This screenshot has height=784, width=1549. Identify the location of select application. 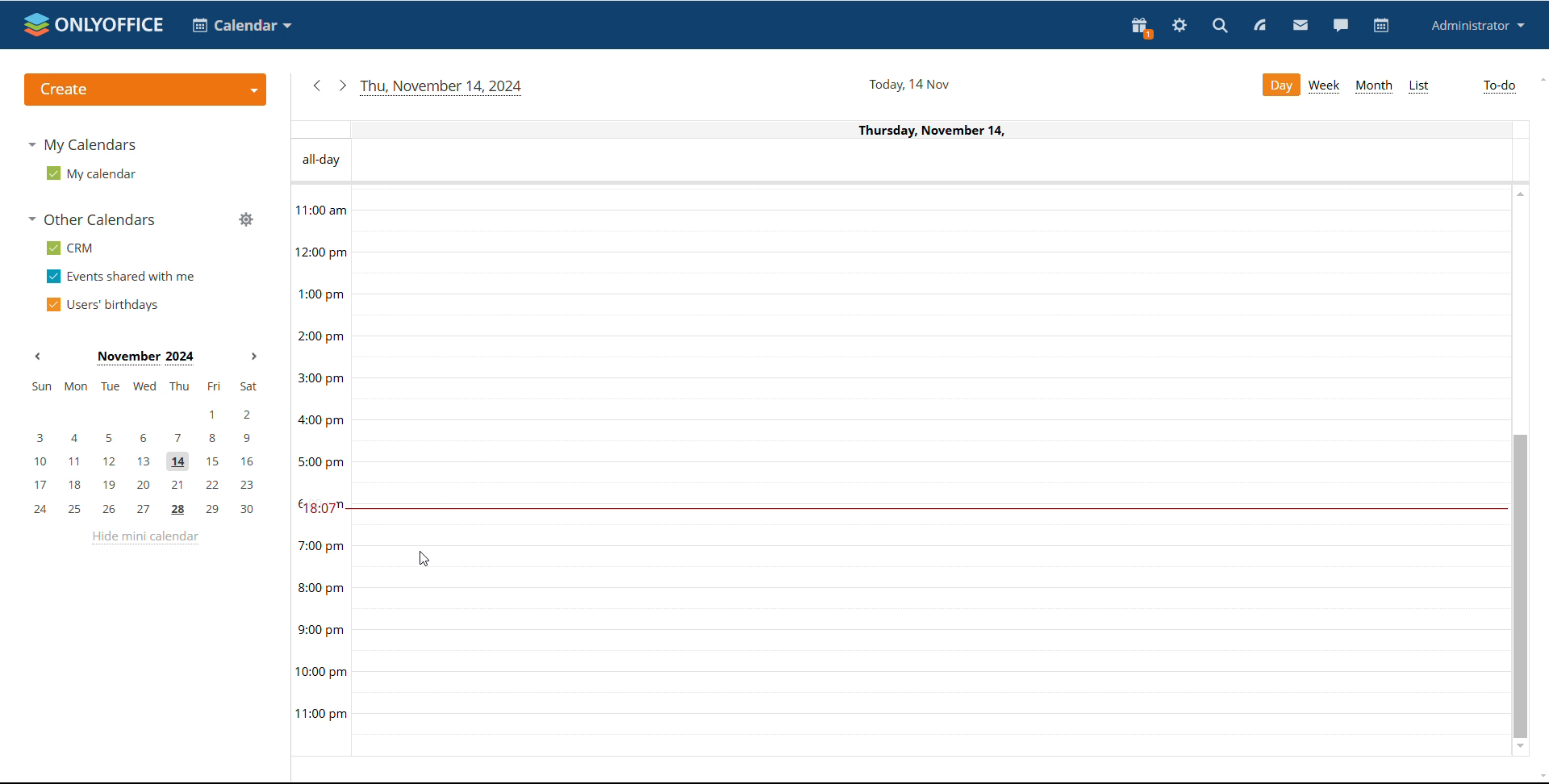
(242, 26).